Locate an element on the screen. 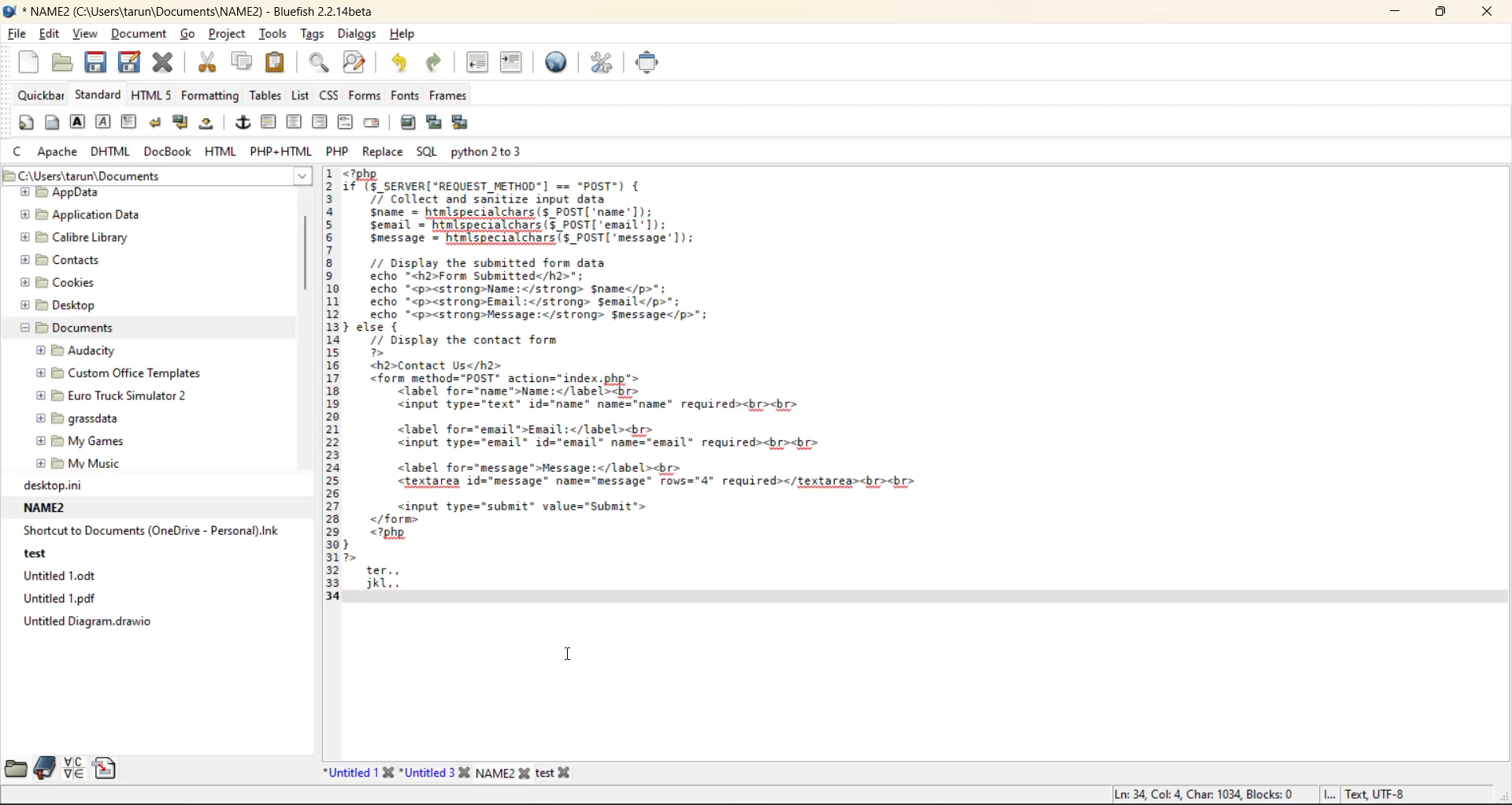 This screenshot has width=1512, height=805. file name and app name is located at coordinates (204, 13).